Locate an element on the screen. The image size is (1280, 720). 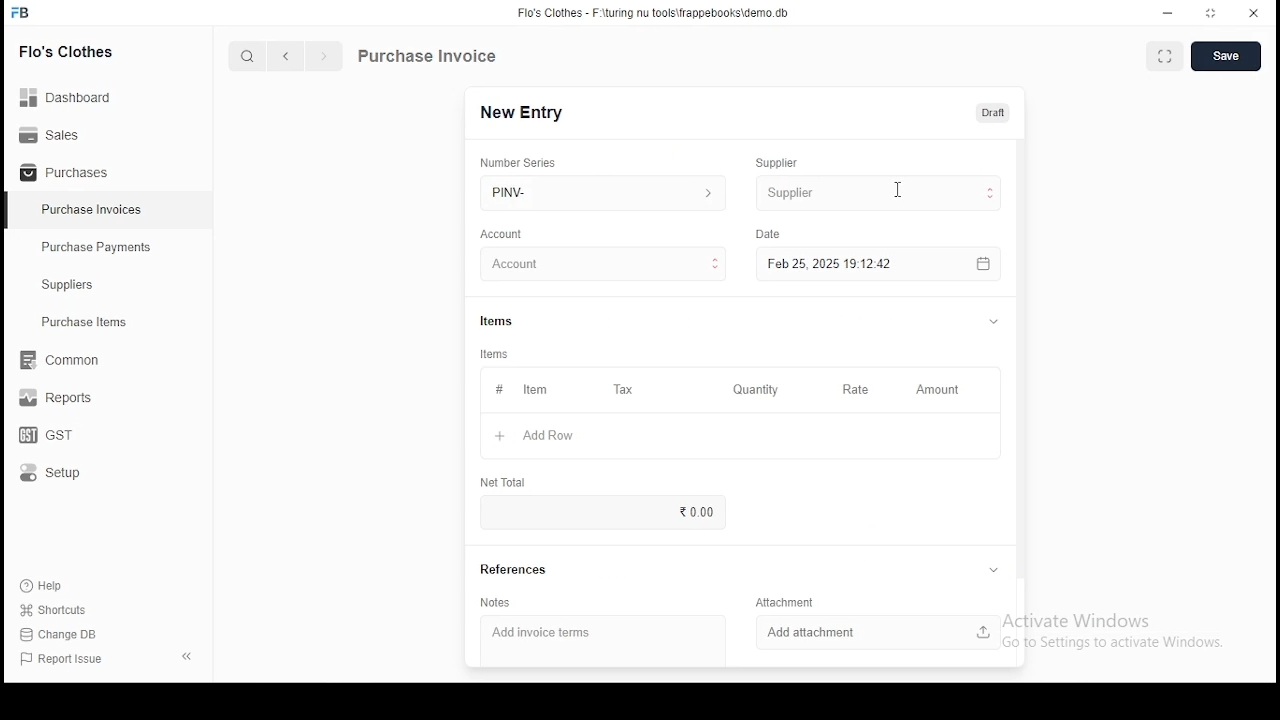
purchase information is located at coordinates (428, 57).